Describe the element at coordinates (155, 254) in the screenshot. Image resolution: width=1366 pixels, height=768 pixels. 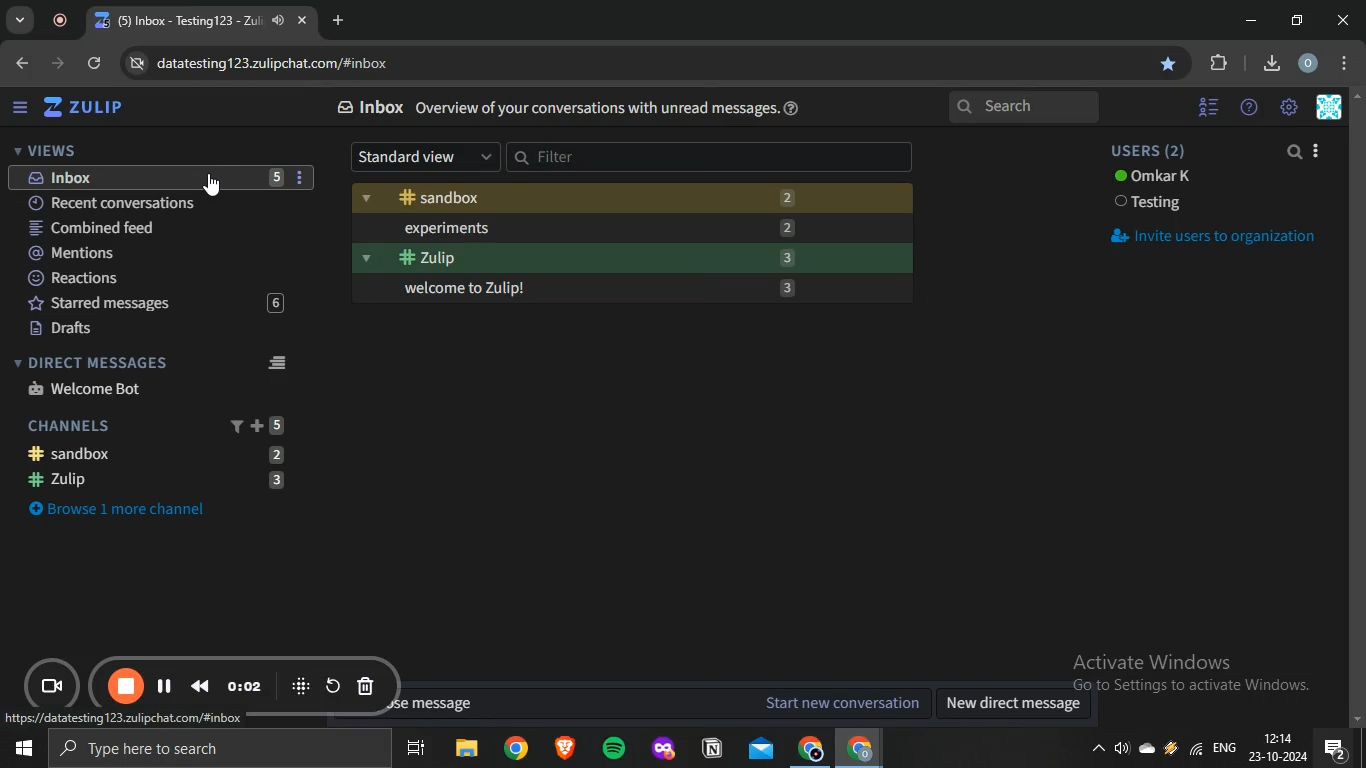
I see `mentions` at that location.